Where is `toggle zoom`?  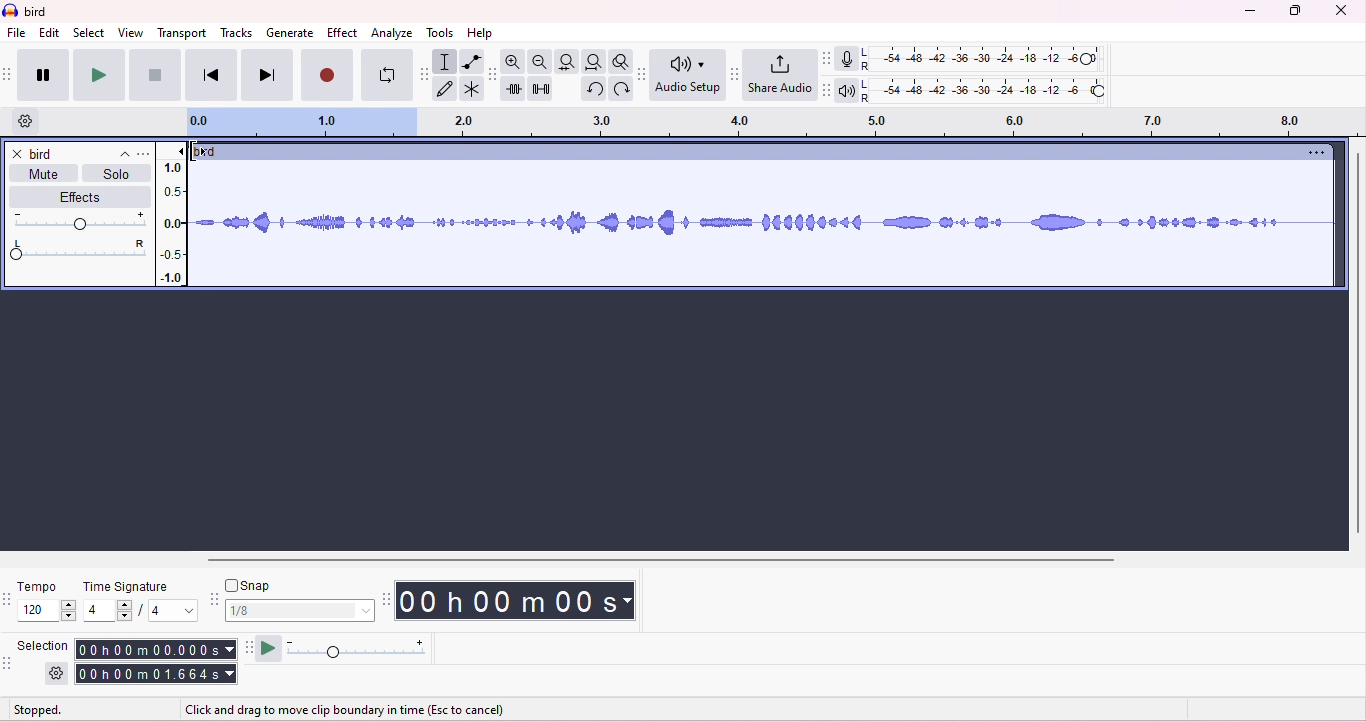 toggle zoom is located at coordinates (621, 62).